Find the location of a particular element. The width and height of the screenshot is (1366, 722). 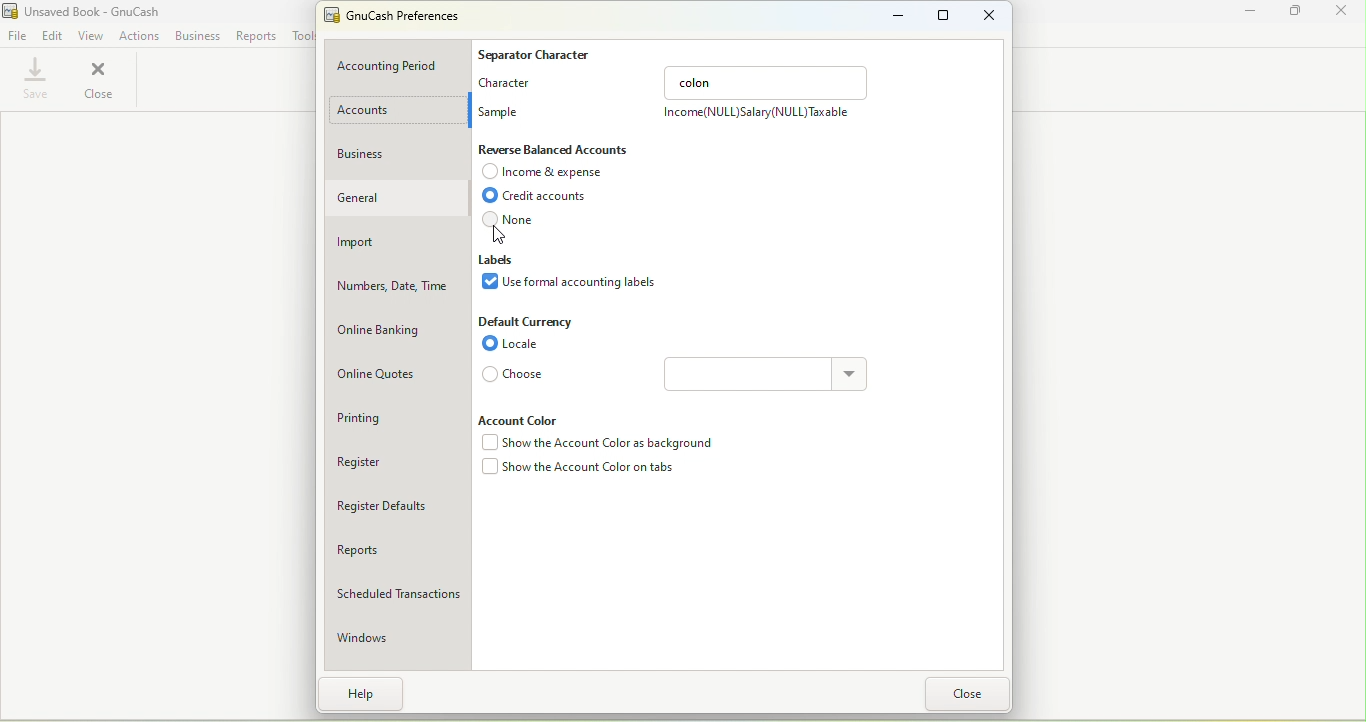

Credit accounts is located at coordinates (539, 195).